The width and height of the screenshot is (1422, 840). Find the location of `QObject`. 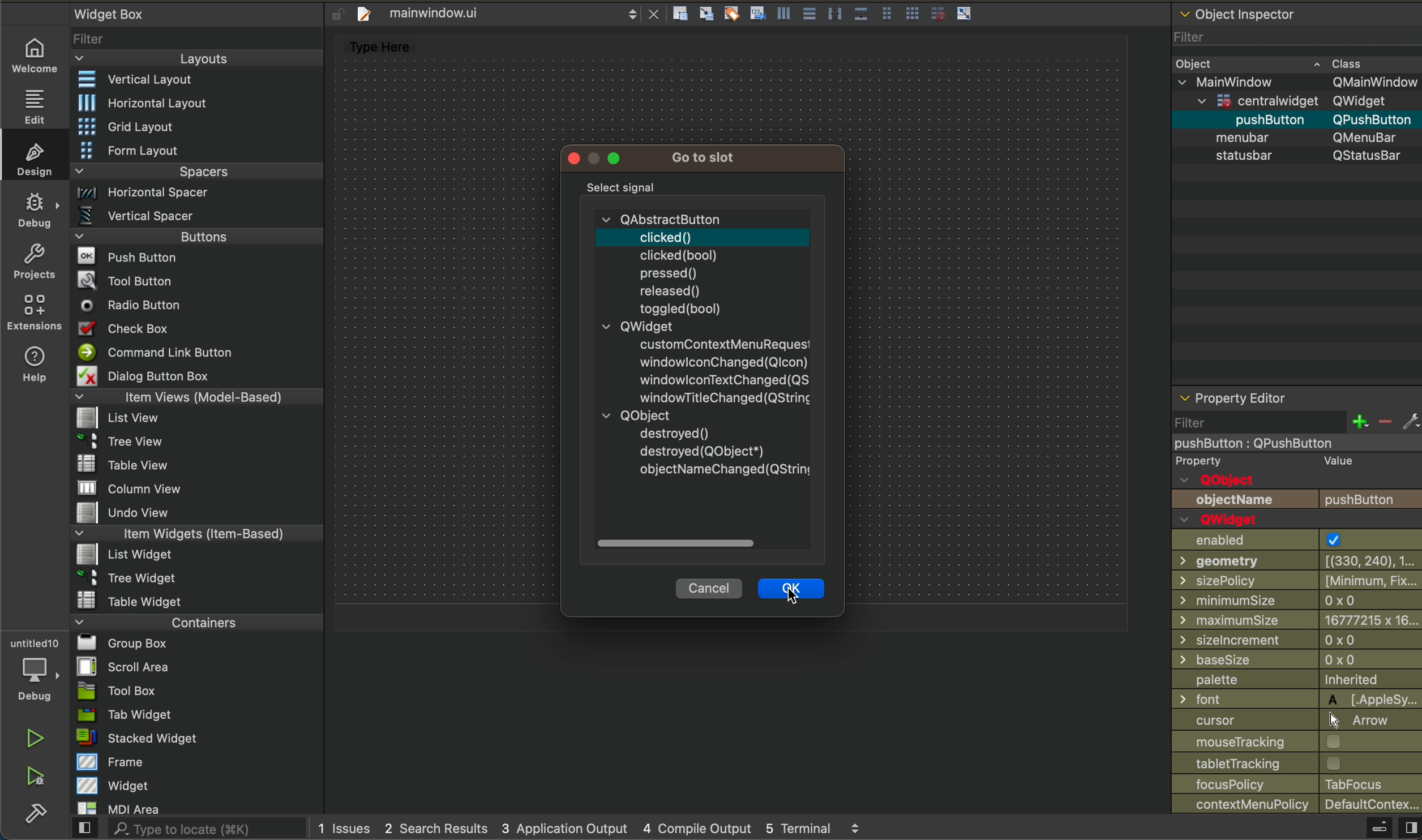

QObject is located at coordinates (1220, 479).